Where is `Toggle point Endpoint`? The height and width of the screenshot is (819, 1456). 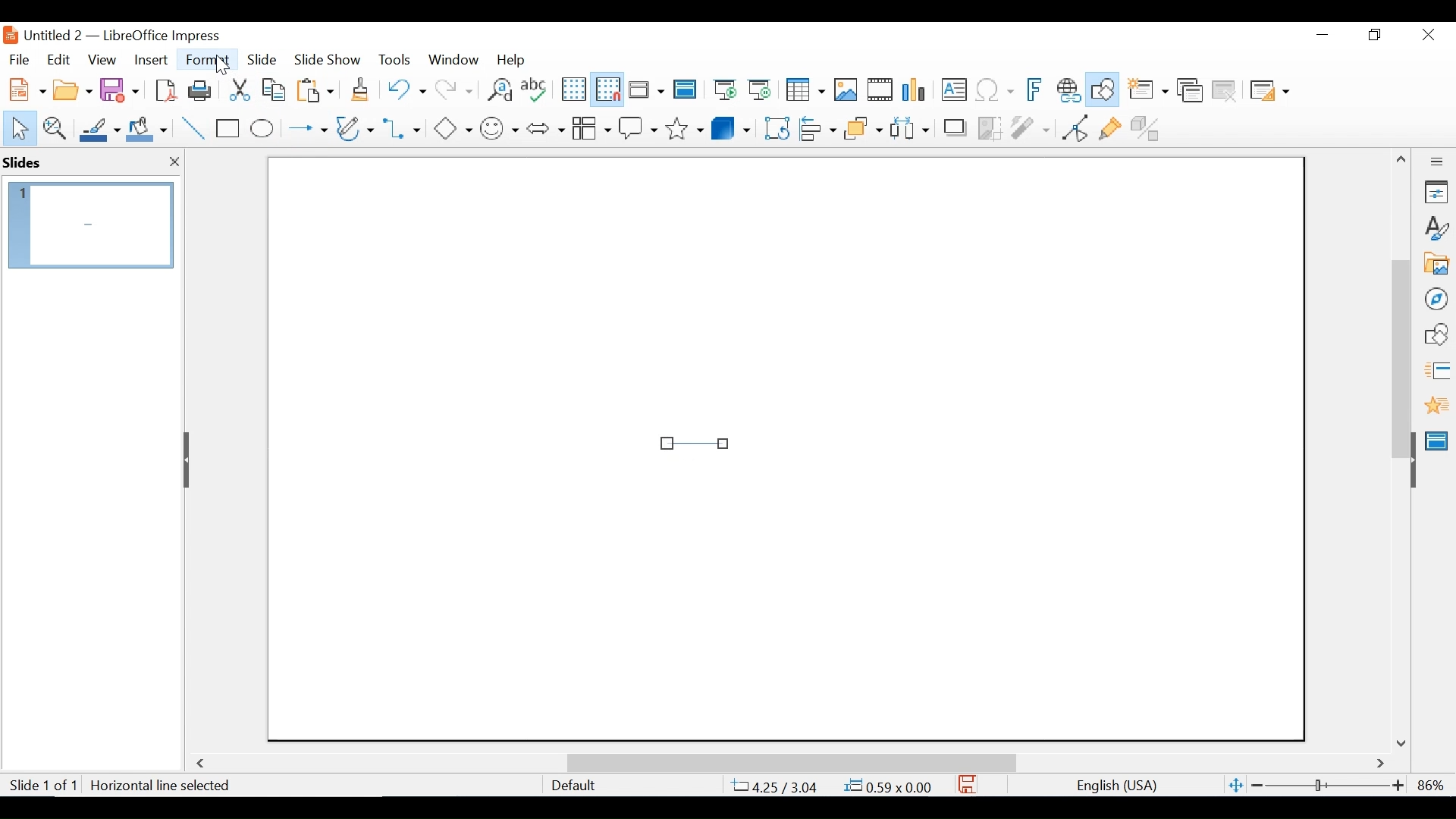 Toggle point Endpoint is located at coordinates (1072, 127).